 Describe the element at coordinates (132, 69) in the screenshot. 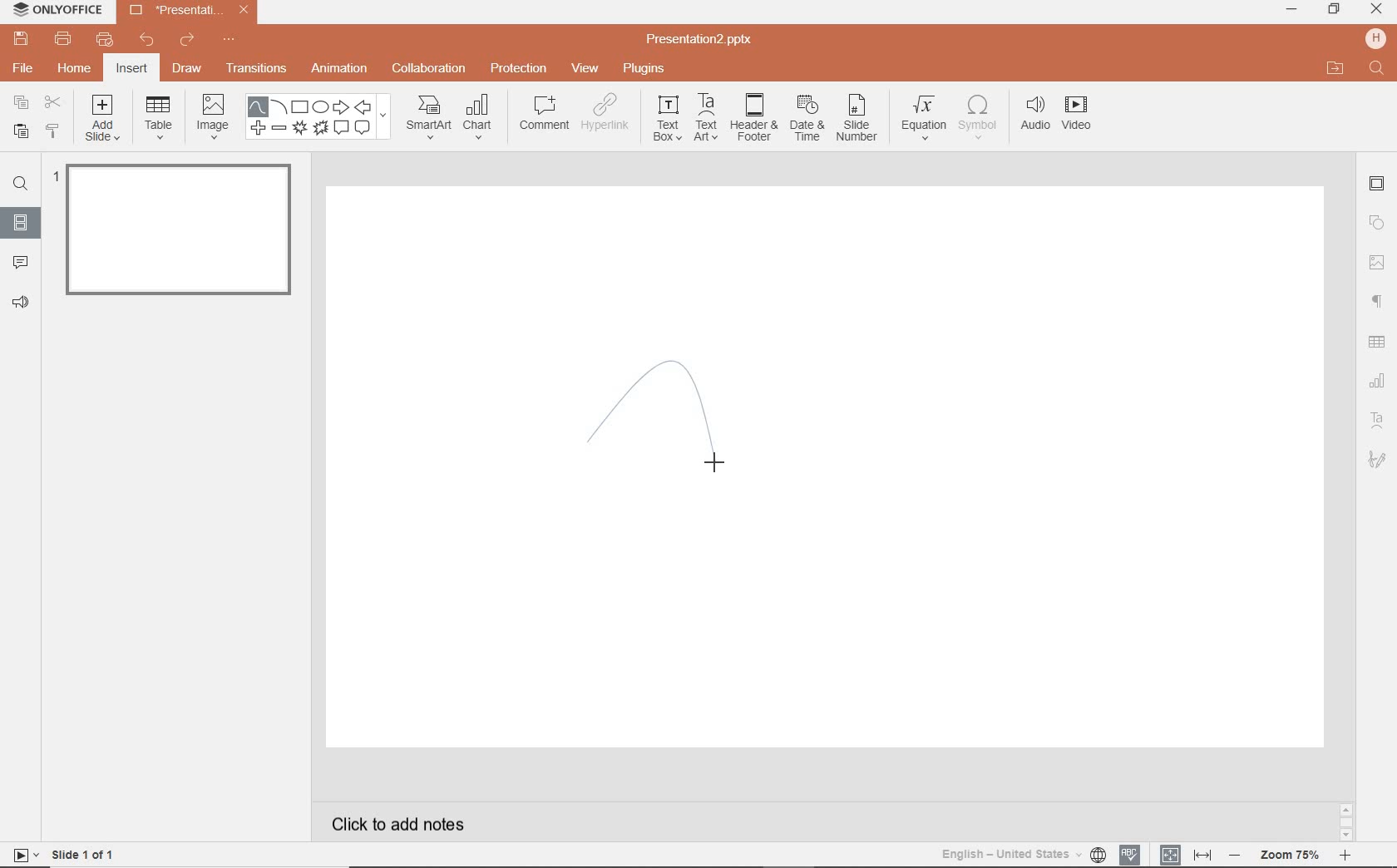

I see `INSERT` at that location.